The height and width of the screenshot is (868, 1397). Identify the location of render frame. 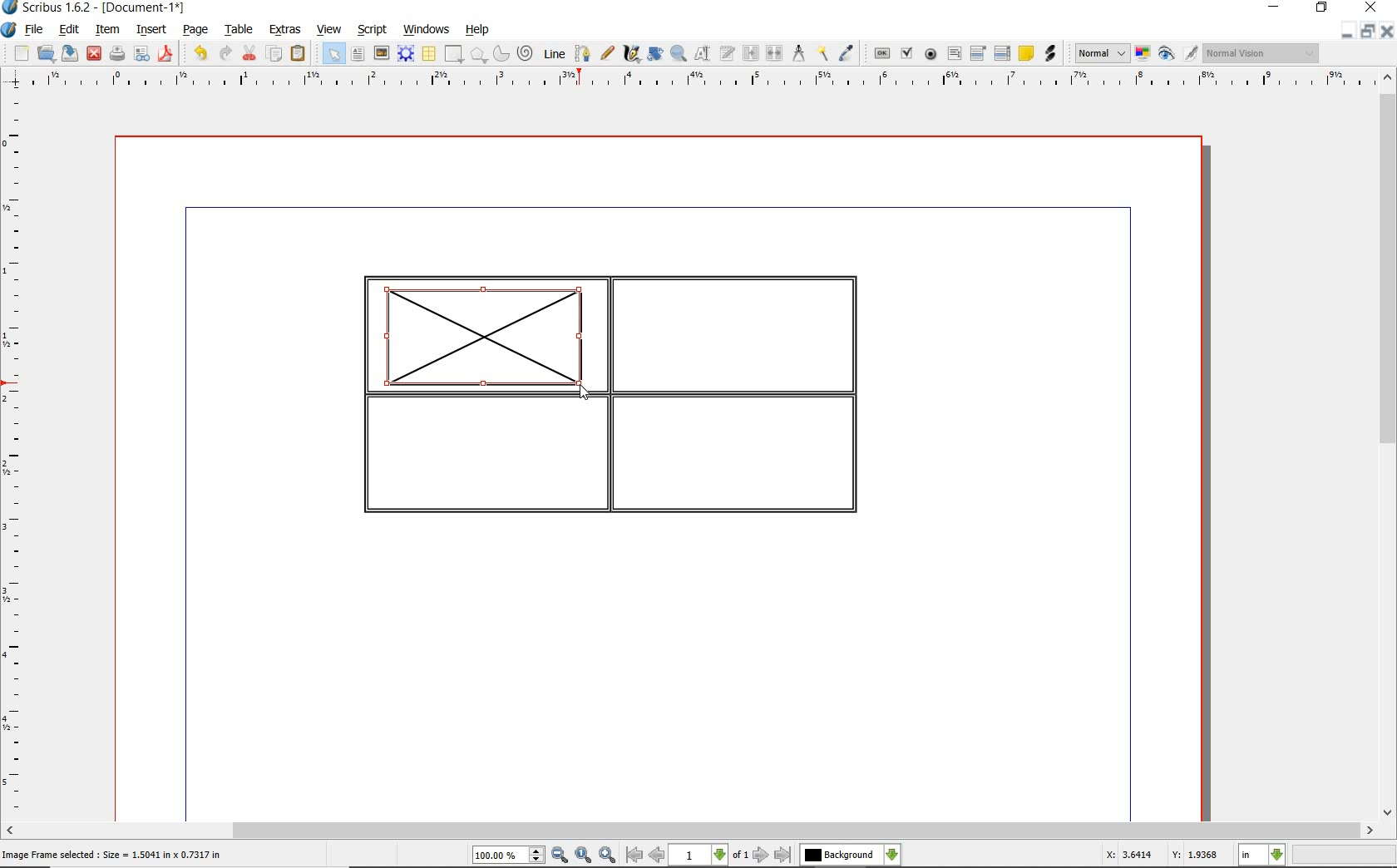
(406, 52).